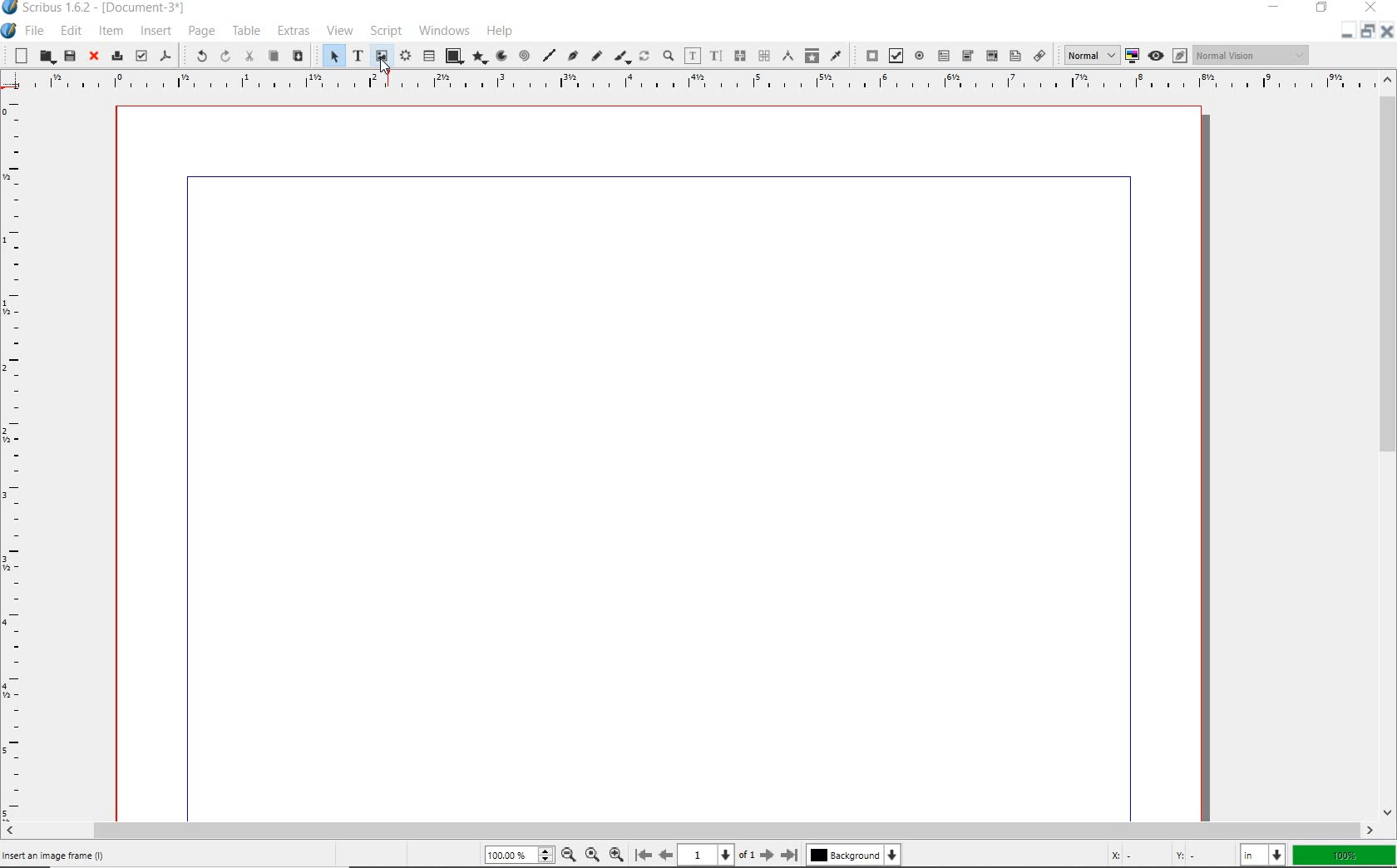  Describe the element at coordinates (593, 856) in the screenshot. I see `zoom to` at that location.